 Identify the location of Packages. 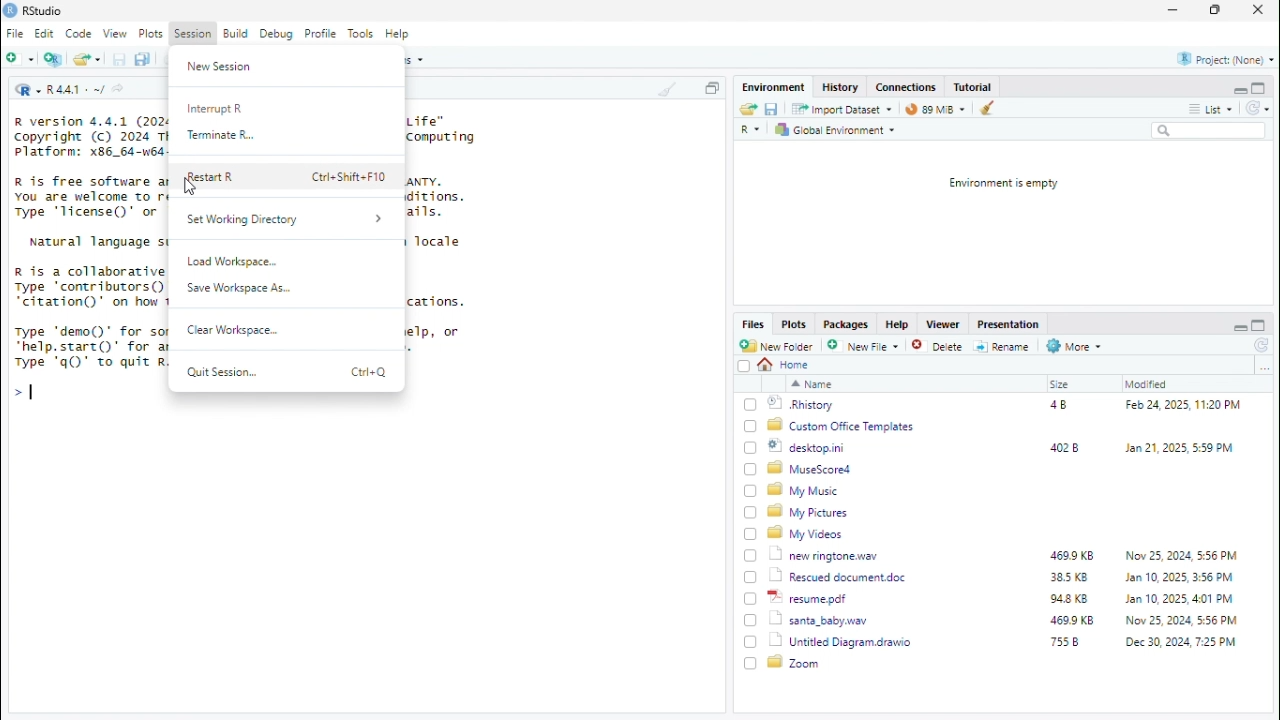
(847, 325).